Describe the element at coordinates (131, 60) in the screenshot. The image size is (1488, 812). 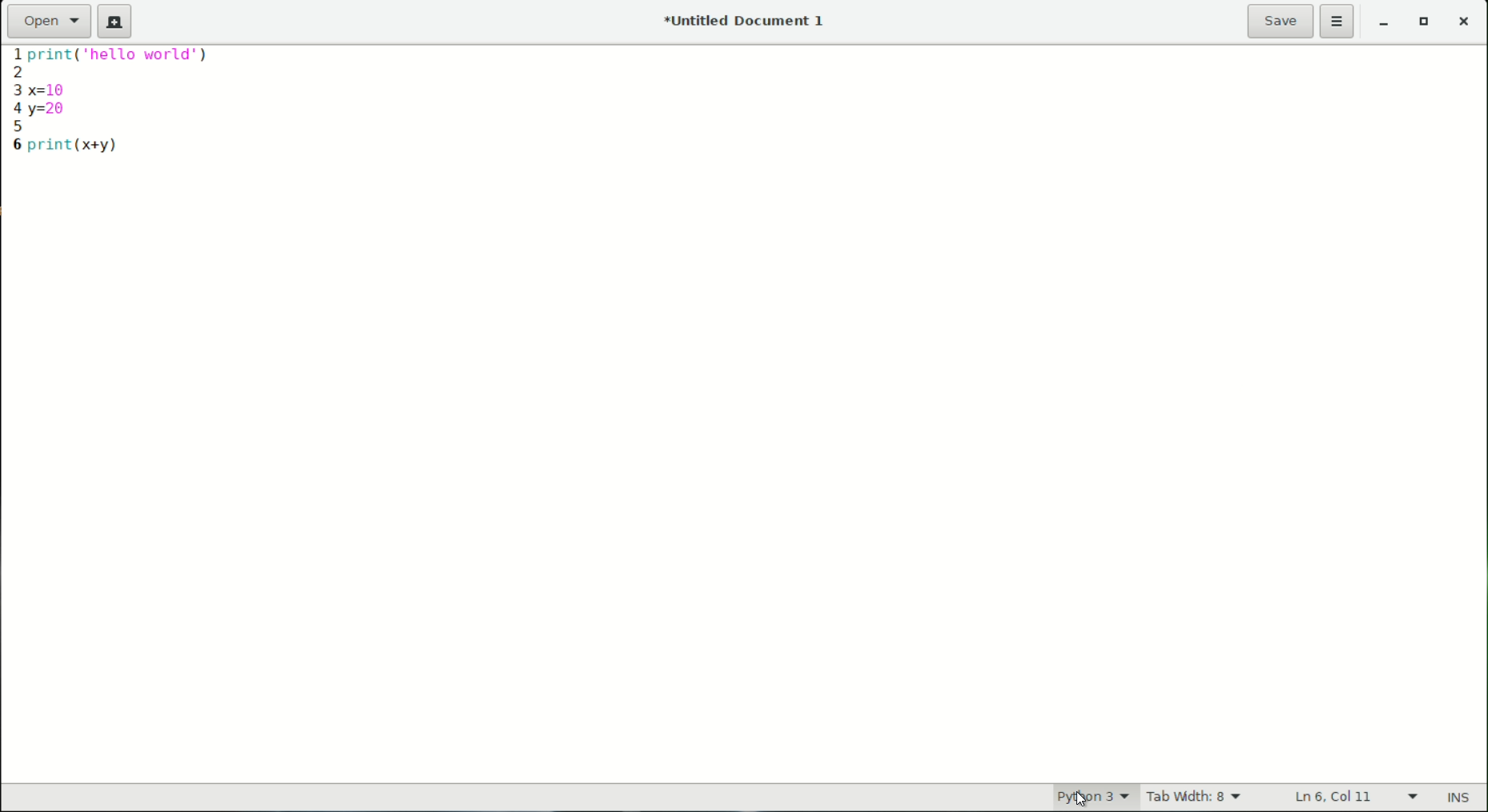
I see `text` at that location.